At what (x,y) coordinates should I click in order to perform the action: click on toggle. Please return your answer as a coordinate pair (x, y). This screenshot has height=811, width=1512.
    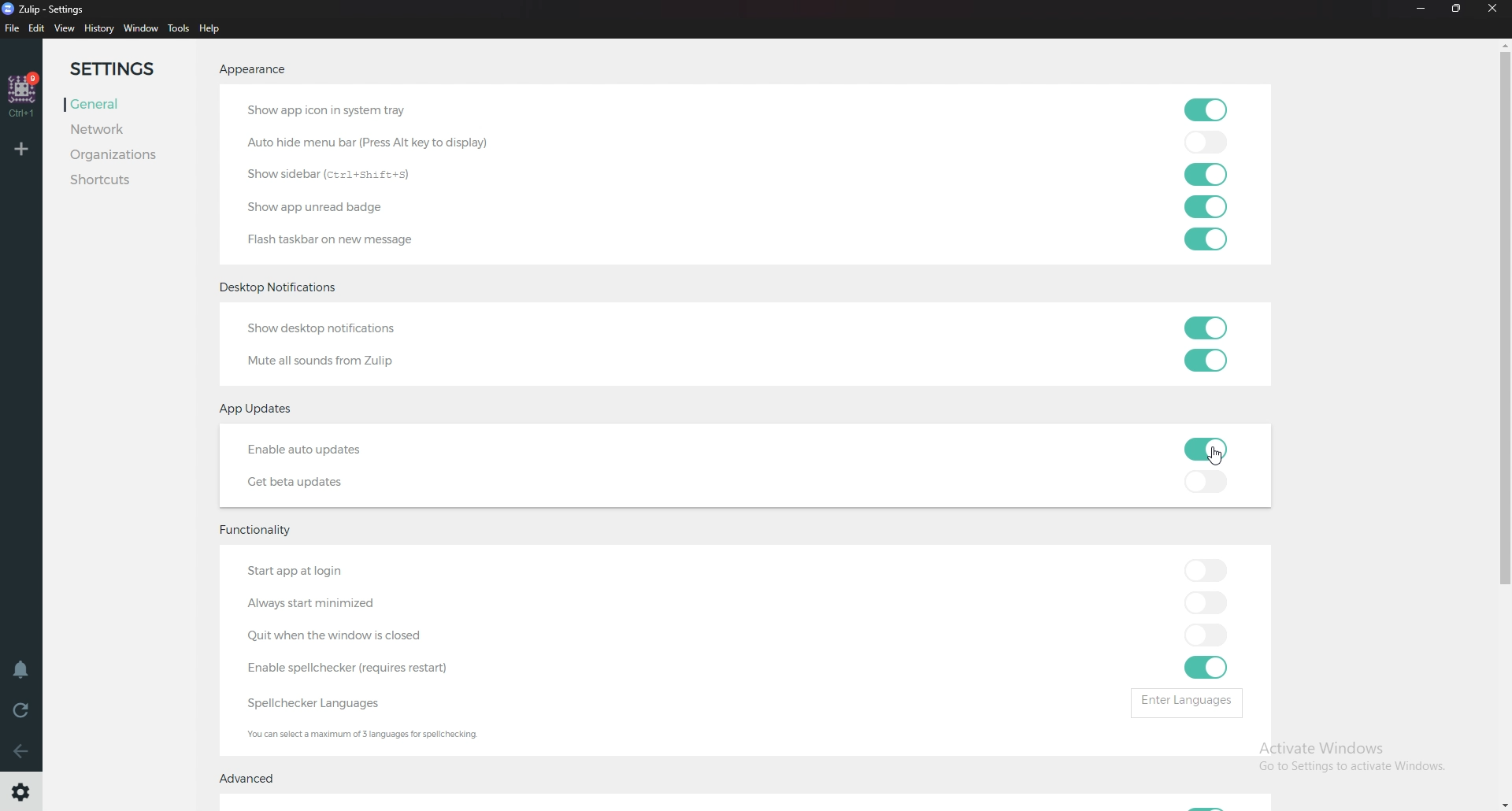
    Looking at the image, I should click on (1205, 449).